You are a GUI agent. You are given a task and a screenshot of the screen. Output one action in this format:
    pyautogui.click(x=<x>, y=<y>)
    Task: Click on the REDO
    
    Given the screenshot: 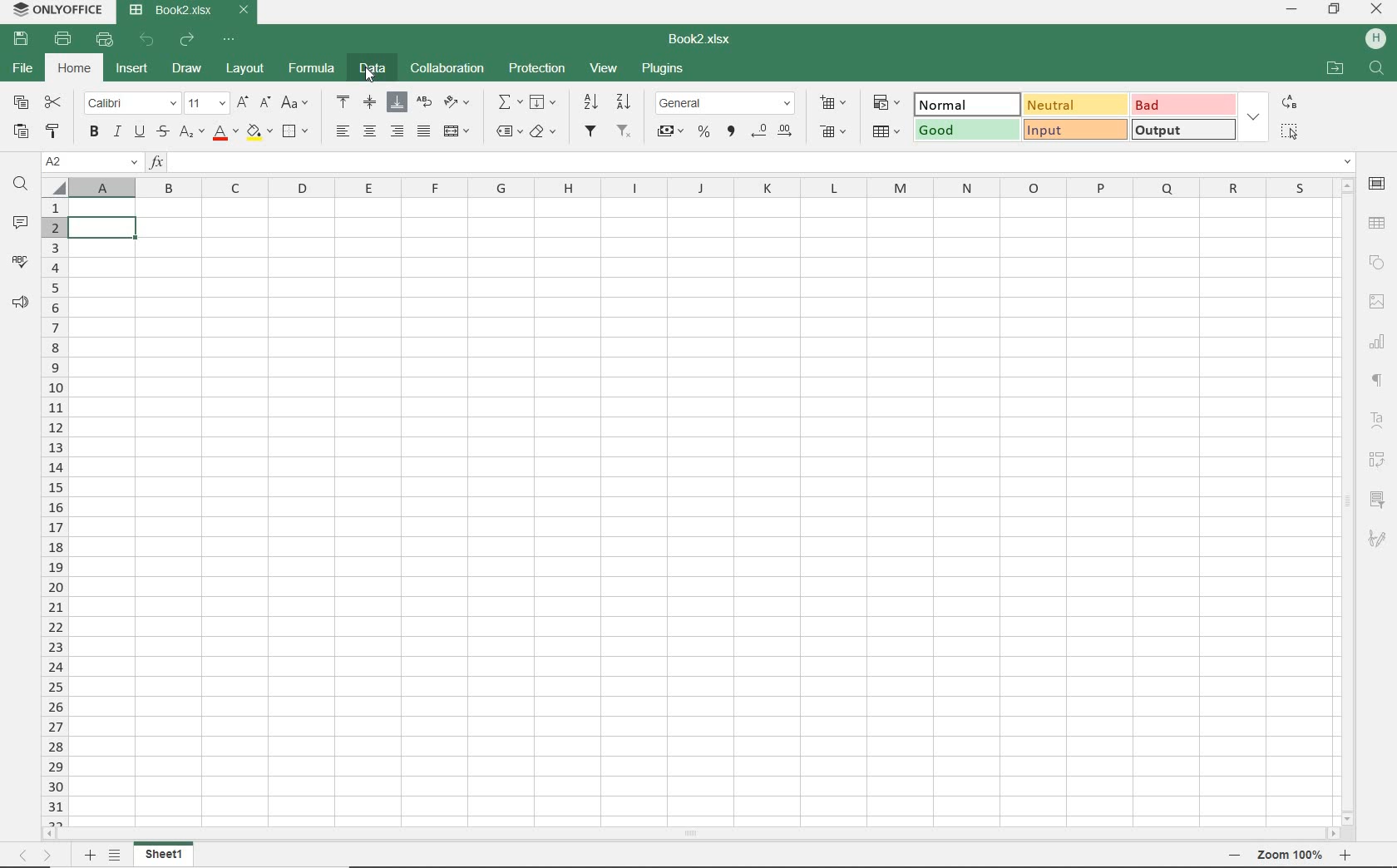 What is the action you would take?
    pyautogui.click(x=187, y=41)
    